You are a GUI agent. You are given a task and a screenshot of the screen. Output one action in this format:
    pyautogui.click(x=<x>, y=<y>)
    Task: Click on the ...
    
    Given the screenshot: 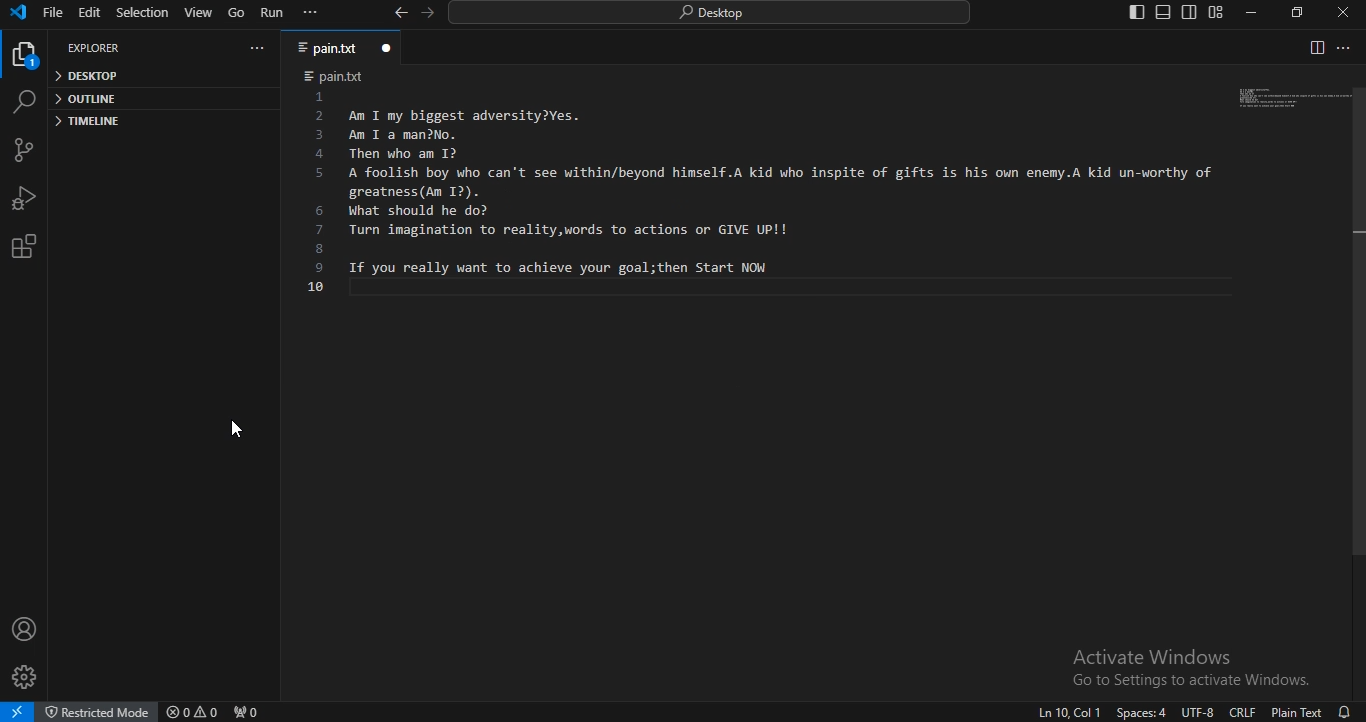 What is the action you would take?
    pyautogui.click(x=1345, y=49)
    